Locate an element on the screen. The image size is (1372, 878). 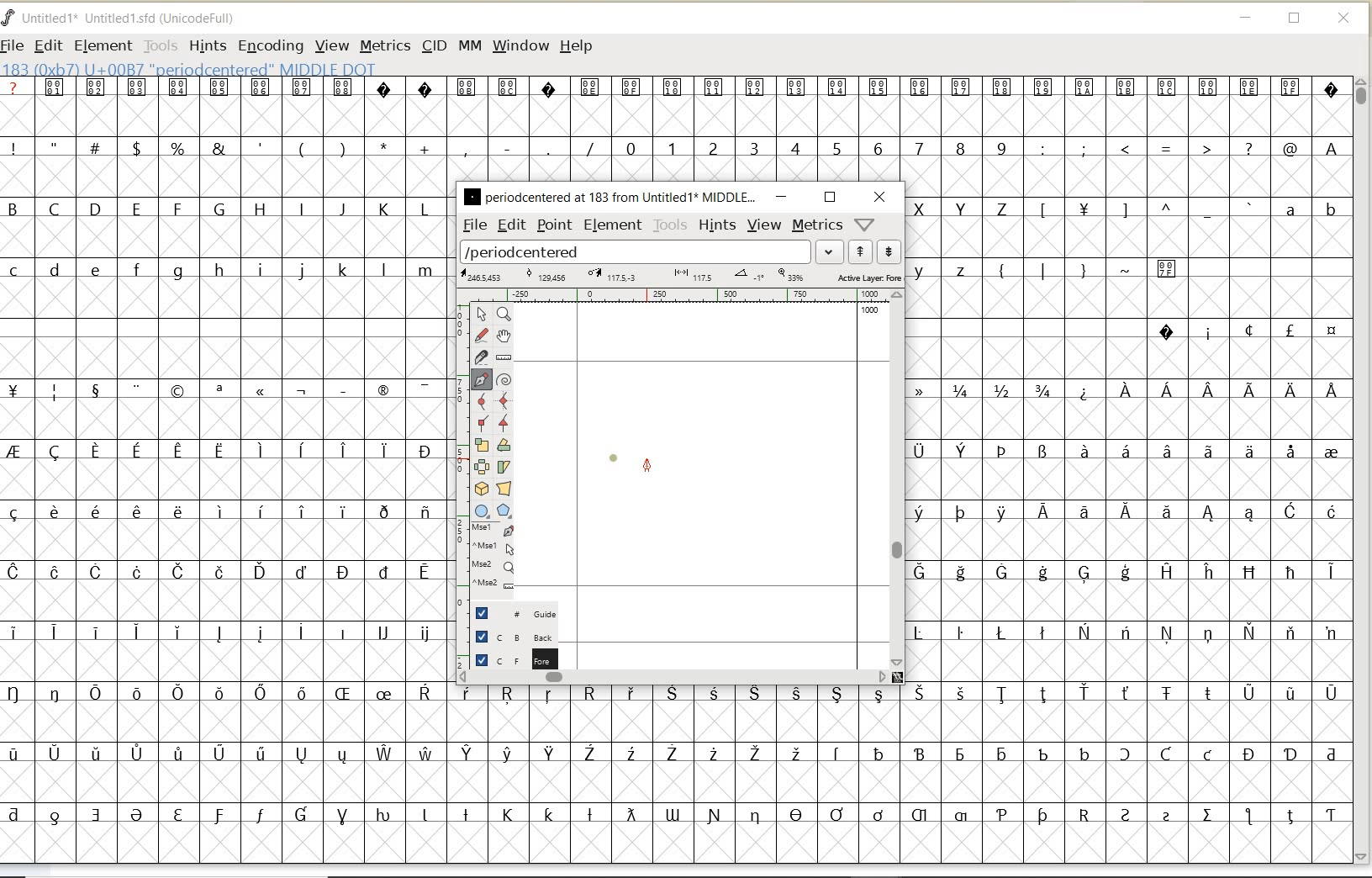
numbers is located at coordinates (812, 147).